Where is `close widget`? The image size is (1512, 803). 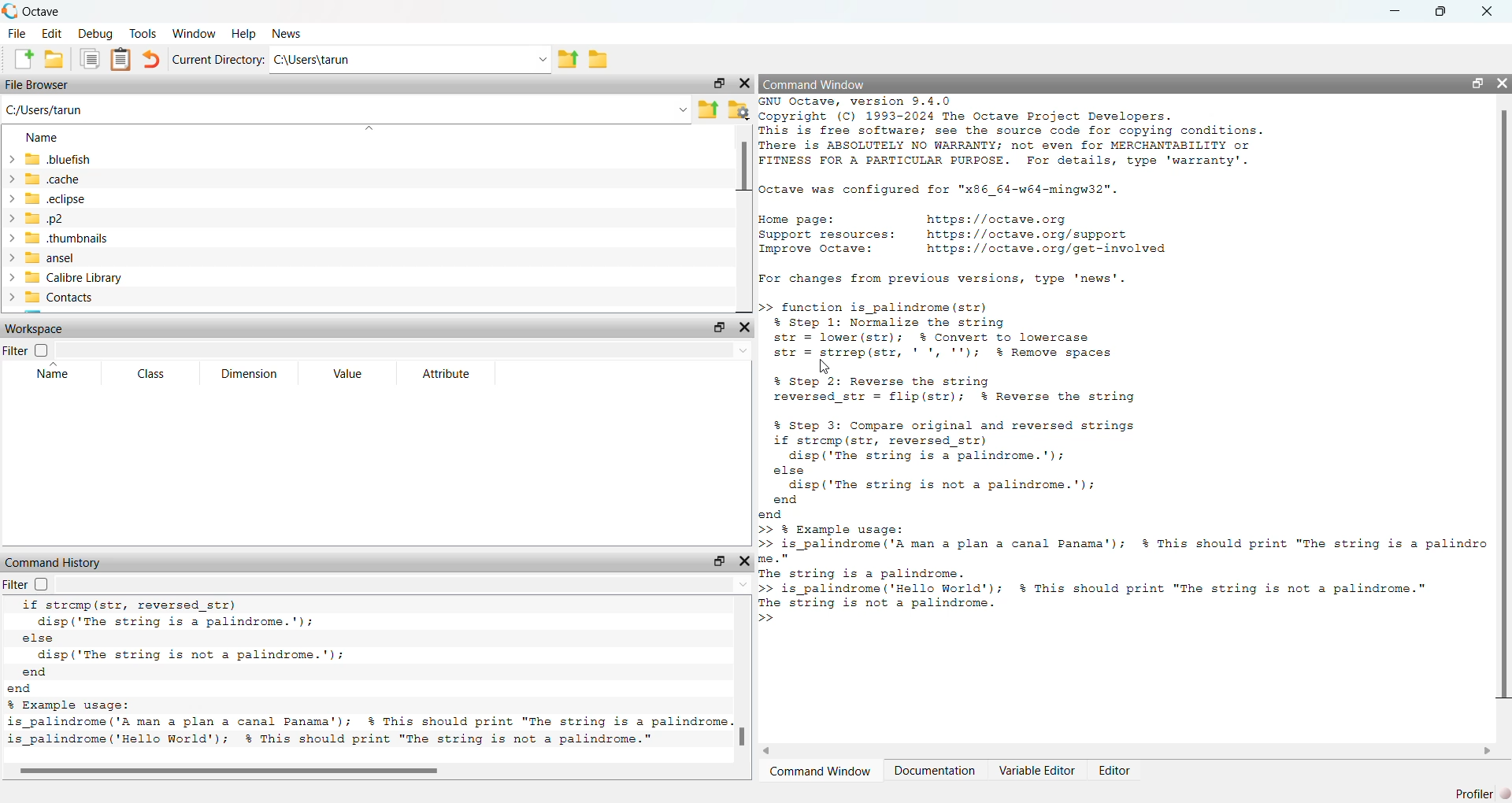 close widget is located at coordinates (744, 327).